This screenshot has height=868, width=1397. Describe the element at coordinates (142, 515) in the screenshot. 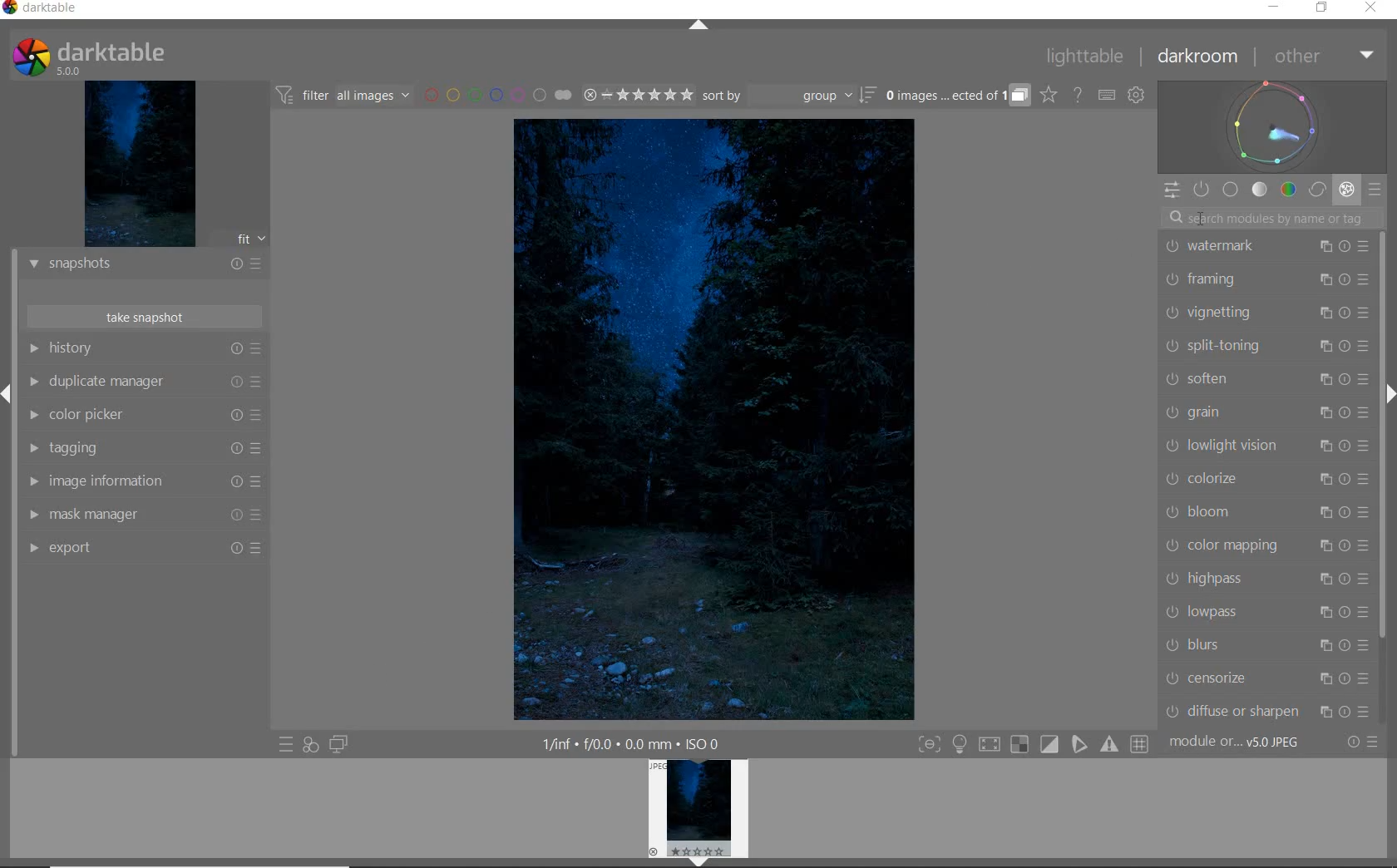

I see `MASK MANAGER` at that location.